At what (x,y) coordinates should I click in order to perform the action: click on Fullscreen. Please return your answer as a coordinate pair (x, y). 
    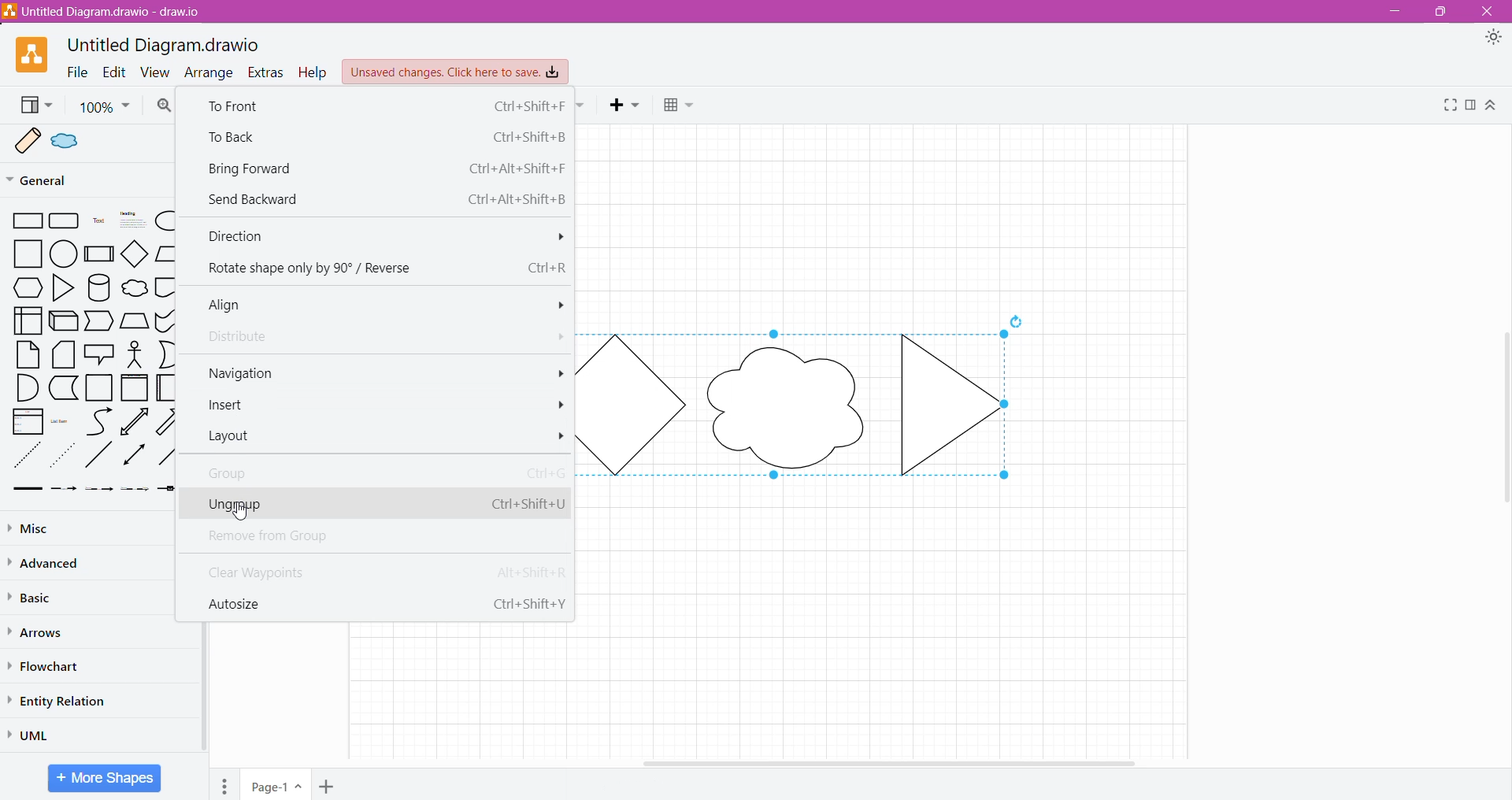
    Looking at the image, I should click on (1451, 106).